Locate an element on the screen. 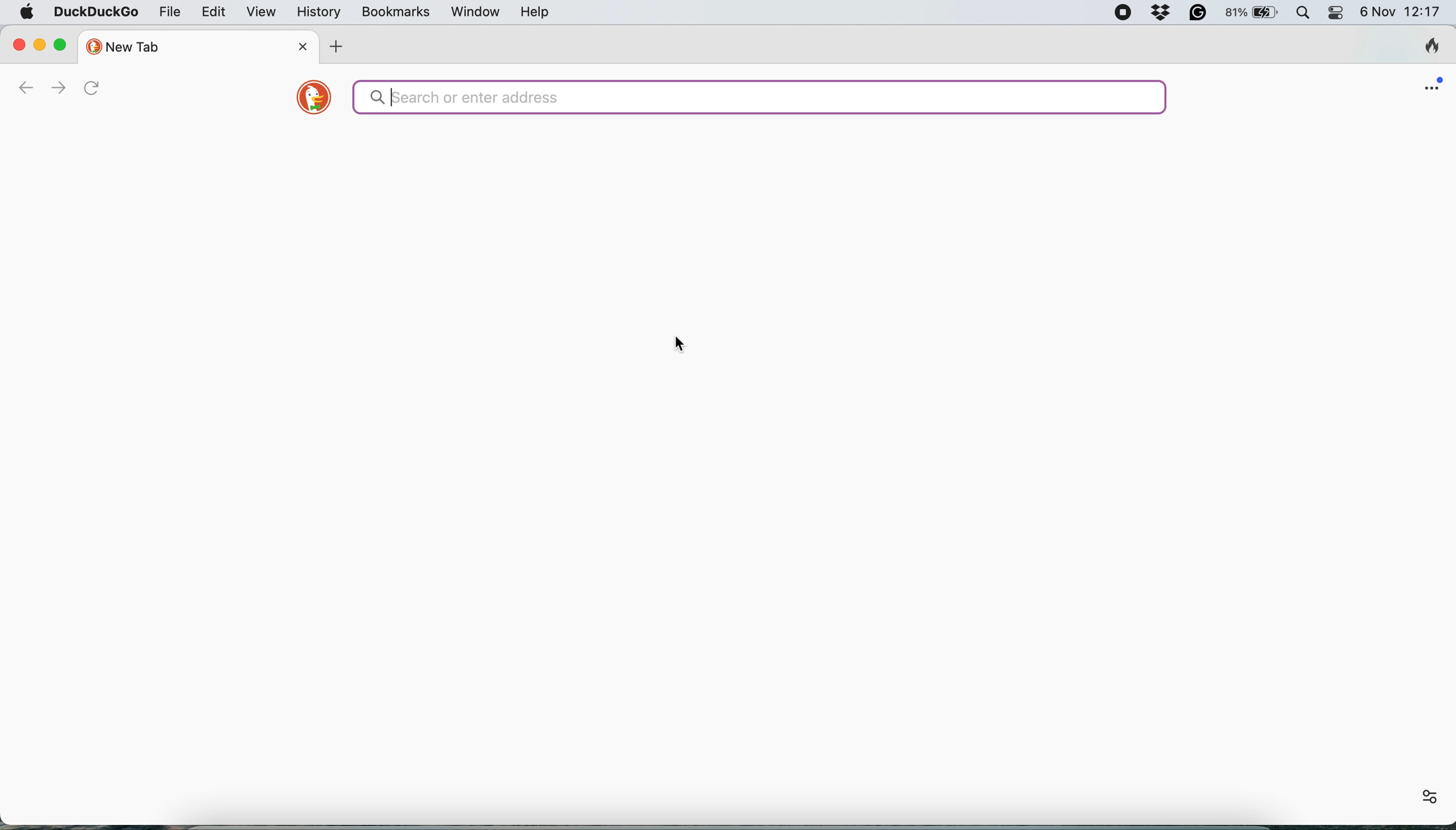 The height and width of the screenshot is (830, 1456). more options is located at coordinates (1421, 792).